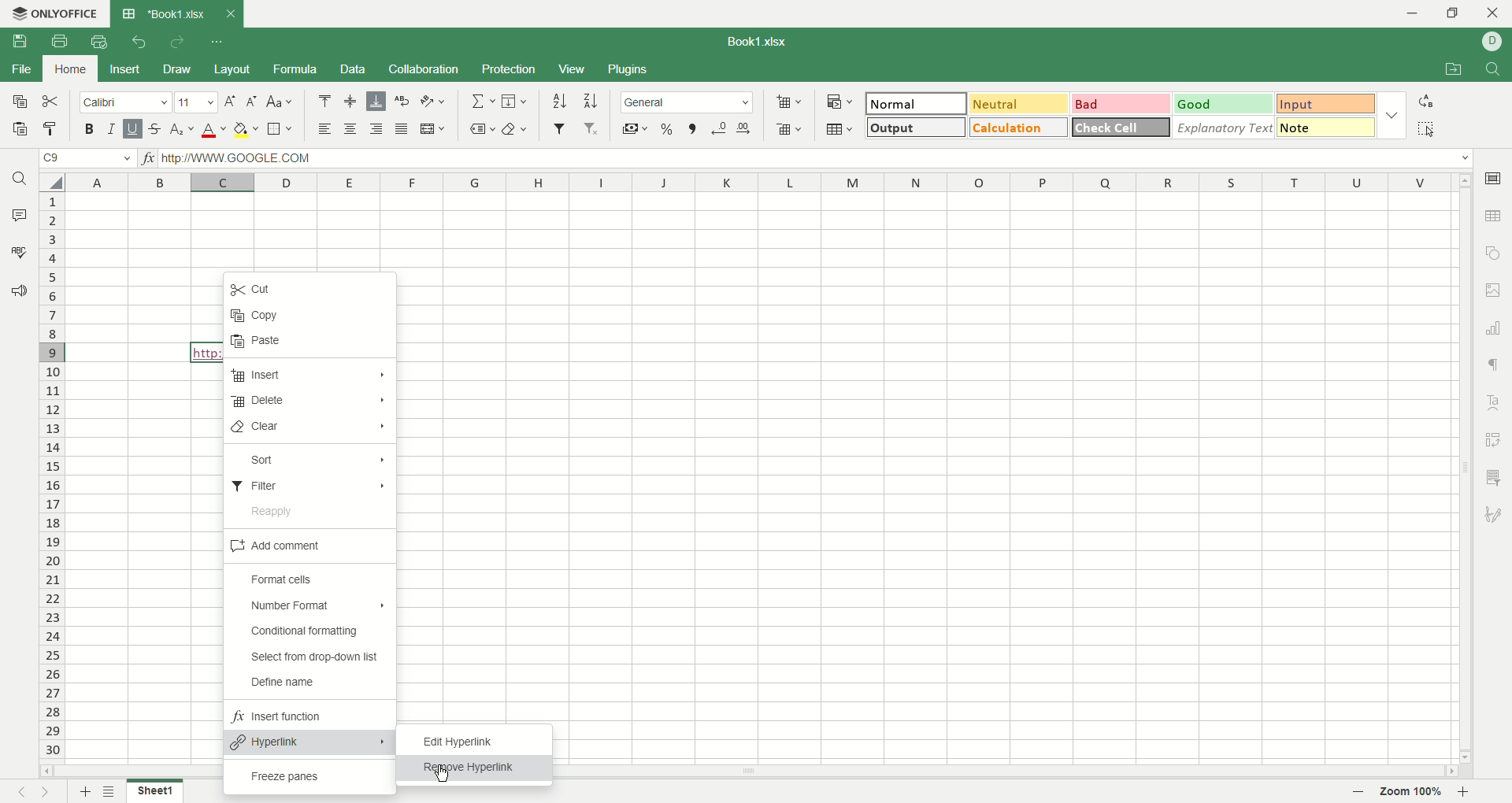 The image size is (1512, 803). Describe the element at coordinates (93, 129) in the screenshot. I see `bold` at that location.